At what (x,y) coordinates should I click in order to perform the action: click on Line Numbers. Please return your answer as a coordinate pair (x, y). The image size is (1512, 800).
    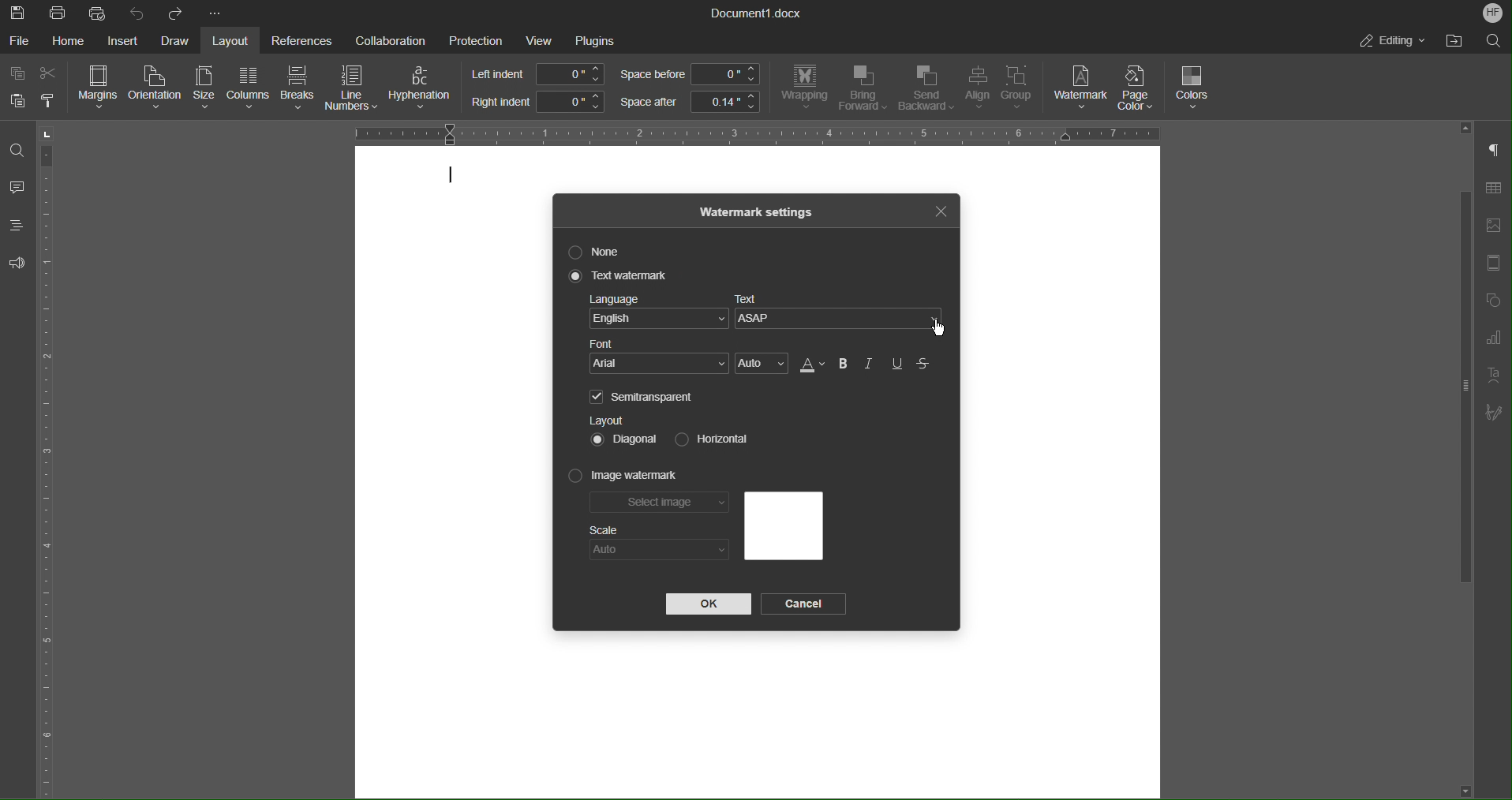
    Looking at the image, I should click on (353, 90).